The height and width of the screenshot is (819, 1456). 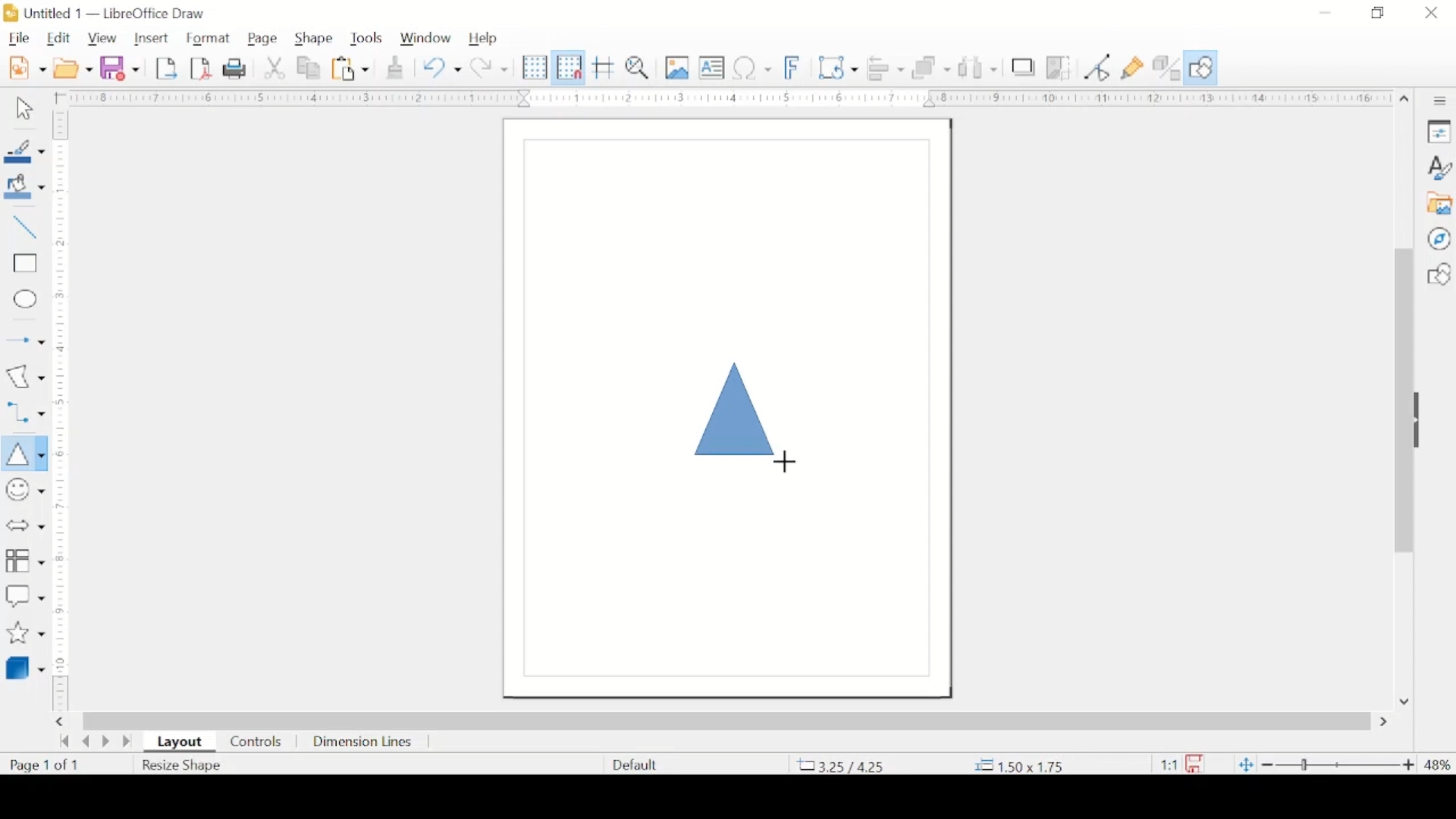 What do you see at coordinates (166, 68) in the screenshot?
I see `export` at bounding box center [166, 68].